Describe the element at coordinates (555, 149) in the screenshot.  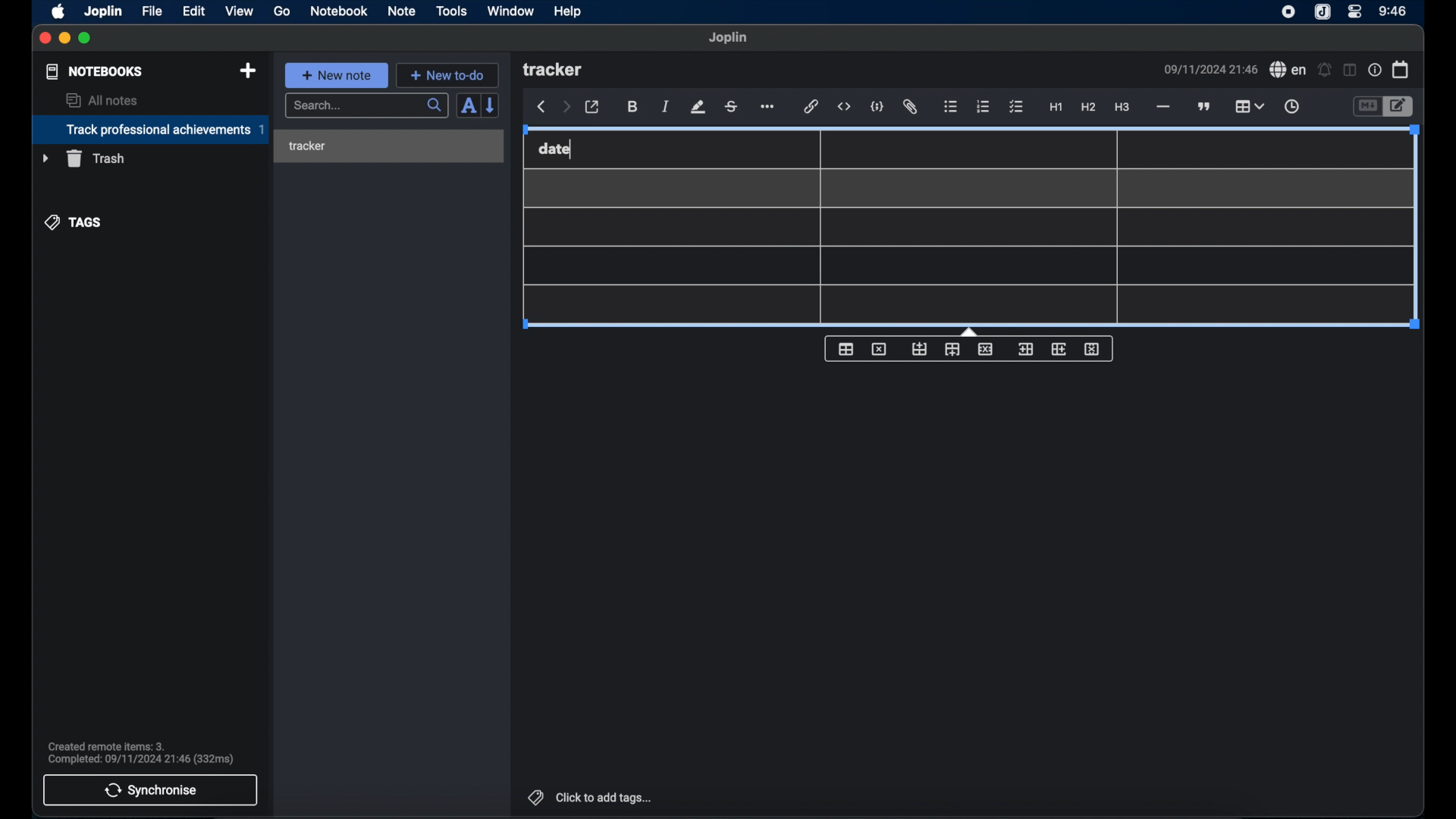
I see `date` at that location.